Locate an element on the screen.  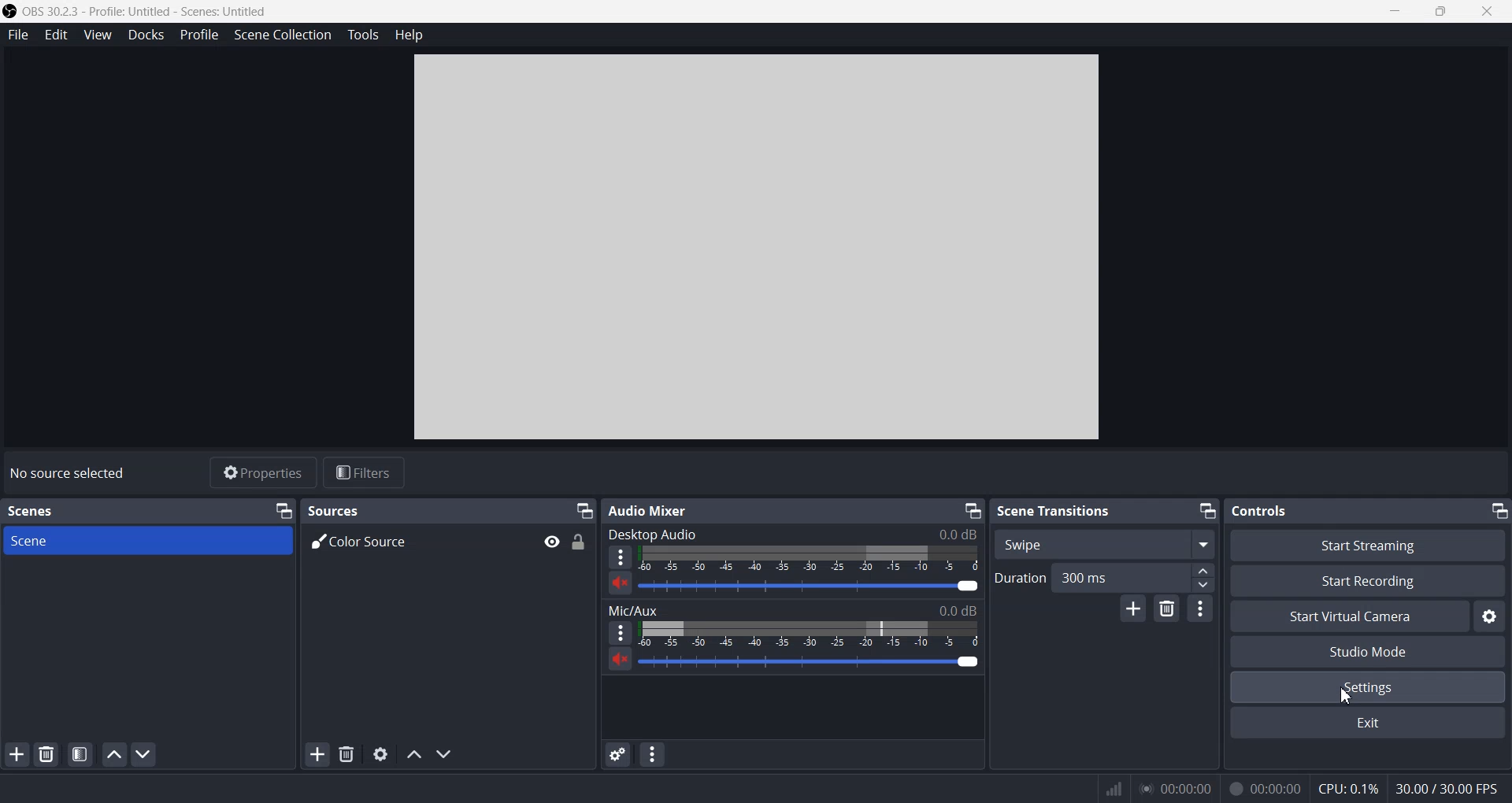
network is located at coordinates (1110, 786).